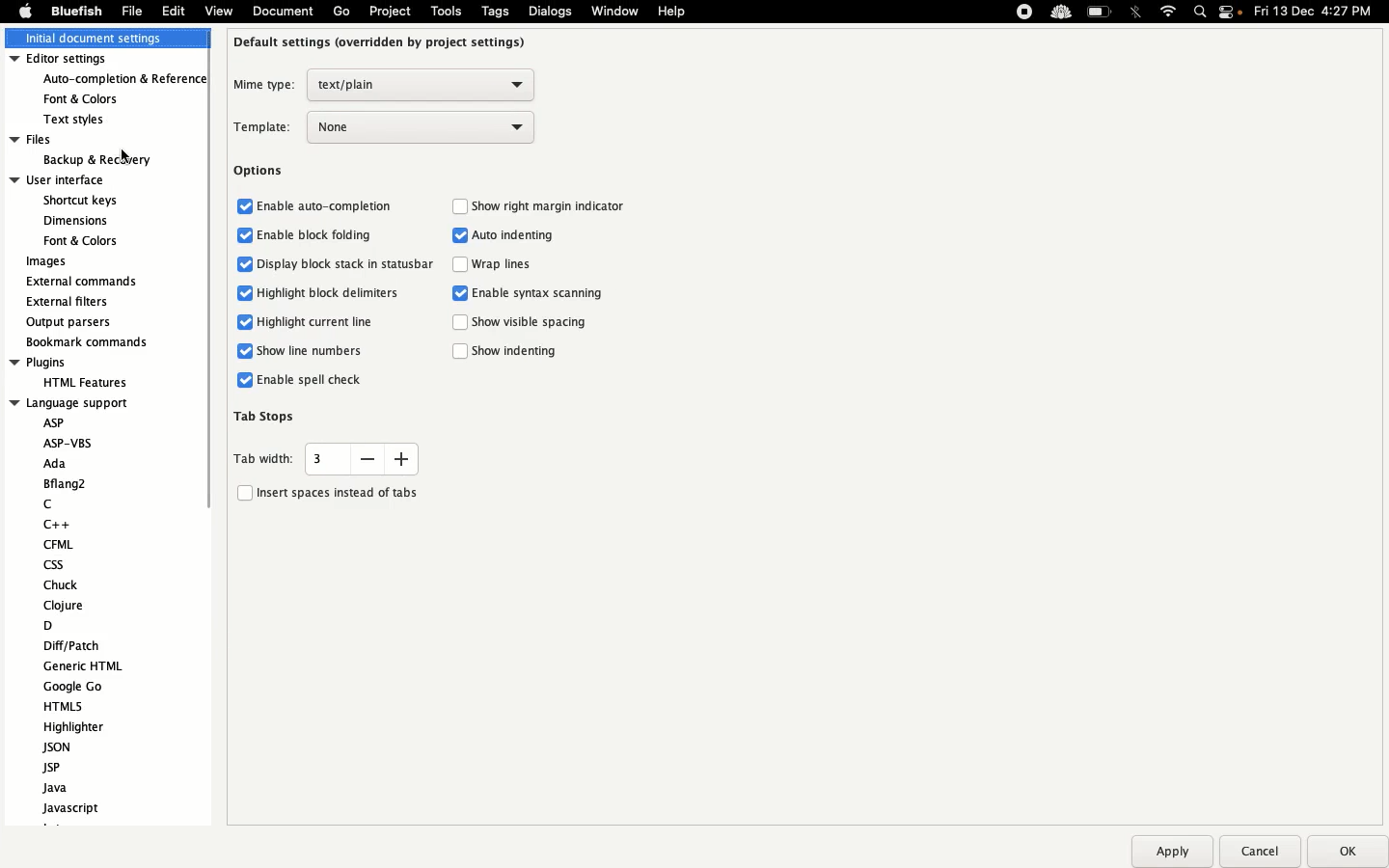 The width and height of the screenshot is (1389, 868). Describe the element at coordinates (318, 293) in the screenshot. I see `Highlight block delimiters ` at that location.